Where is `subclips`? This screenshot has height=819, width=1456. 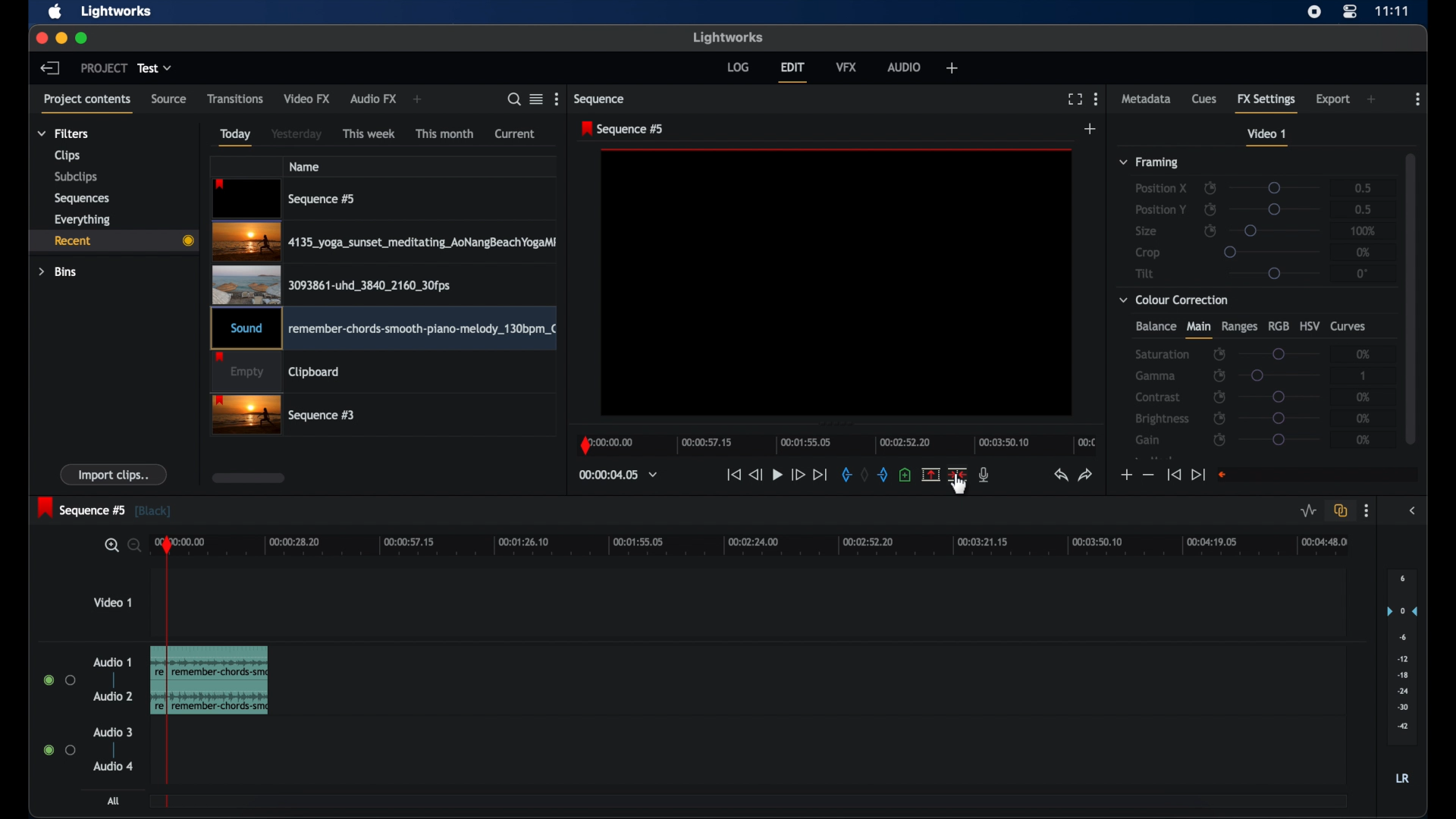
subclips is located at coordinates (77, 177).